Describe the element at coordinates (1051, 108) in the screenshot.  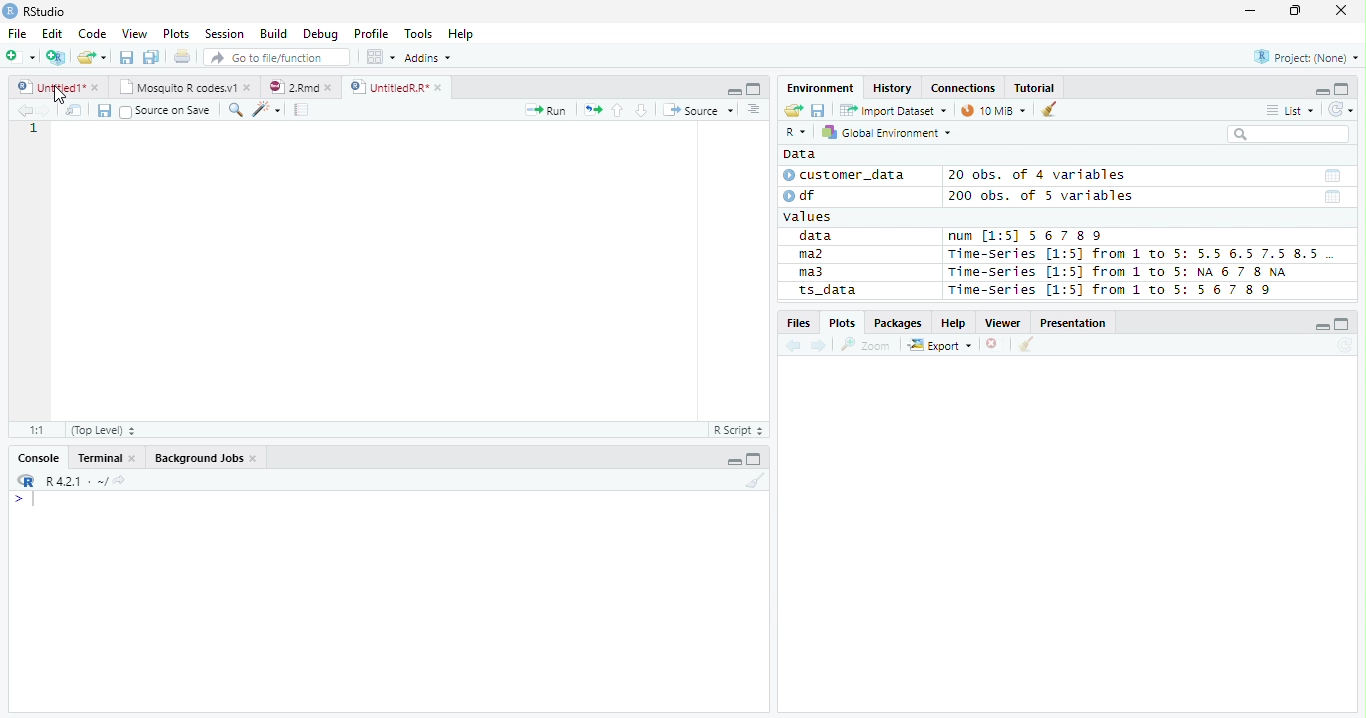
I see `Clean` at that location.